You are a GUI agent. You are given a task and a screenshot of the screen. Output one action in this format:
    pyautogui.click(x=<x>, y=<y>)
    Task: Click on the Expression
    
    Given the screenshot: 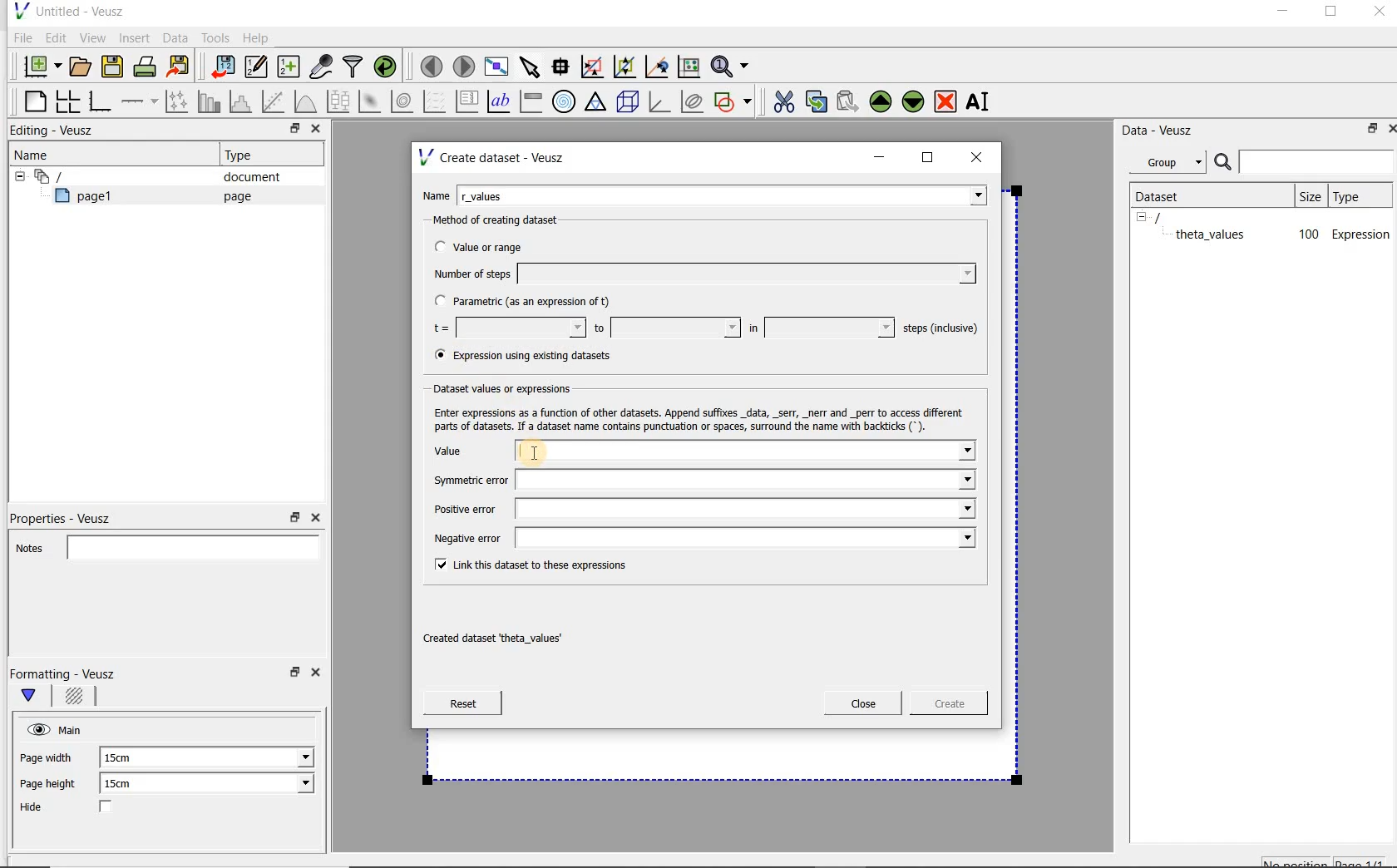 What is the action you would take?
    pyautogui.click(x=1361, y=234)
    